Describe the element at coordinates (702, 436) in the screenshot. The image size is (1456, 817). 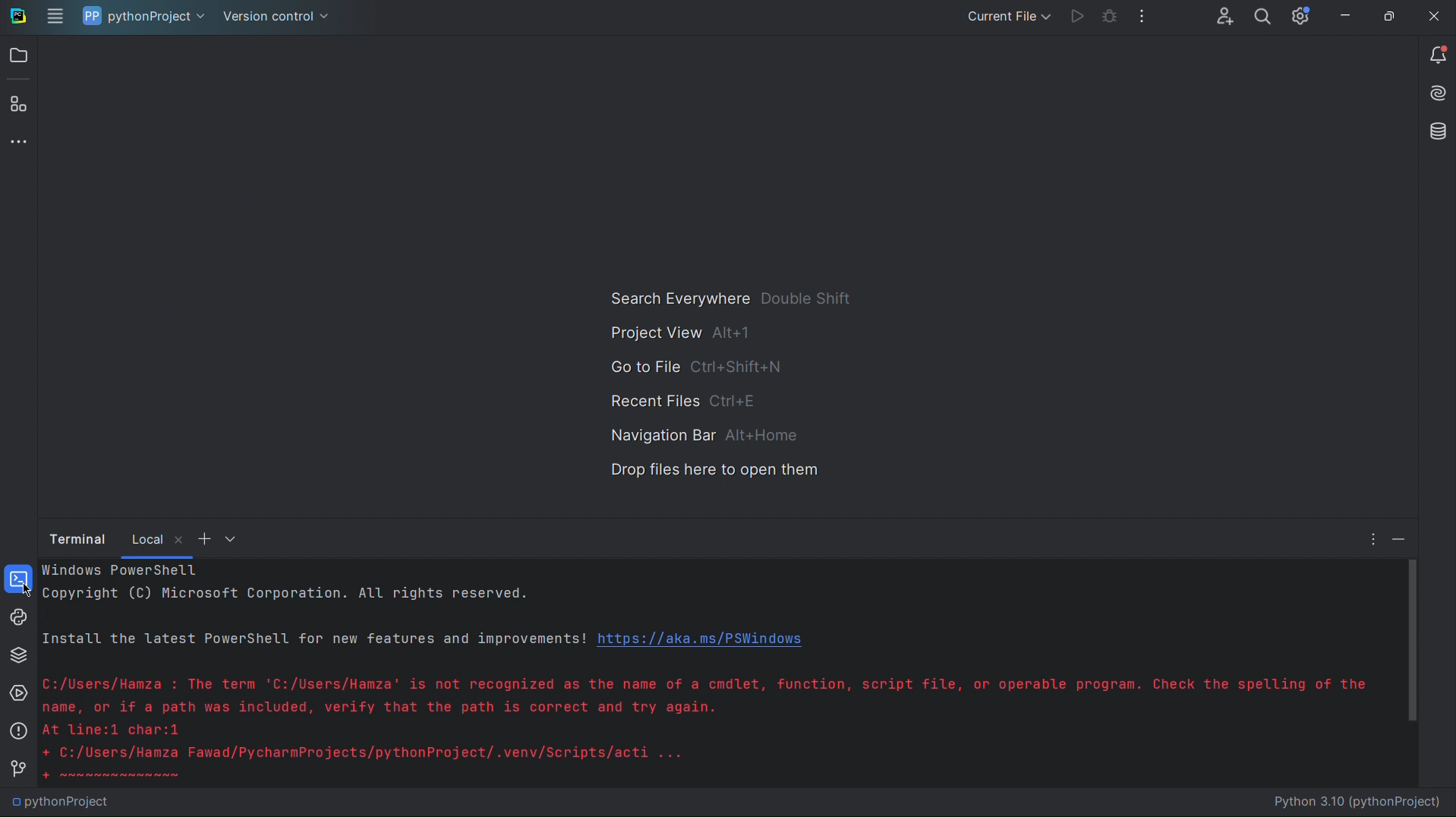
I see `Navigation Bar` at that location.